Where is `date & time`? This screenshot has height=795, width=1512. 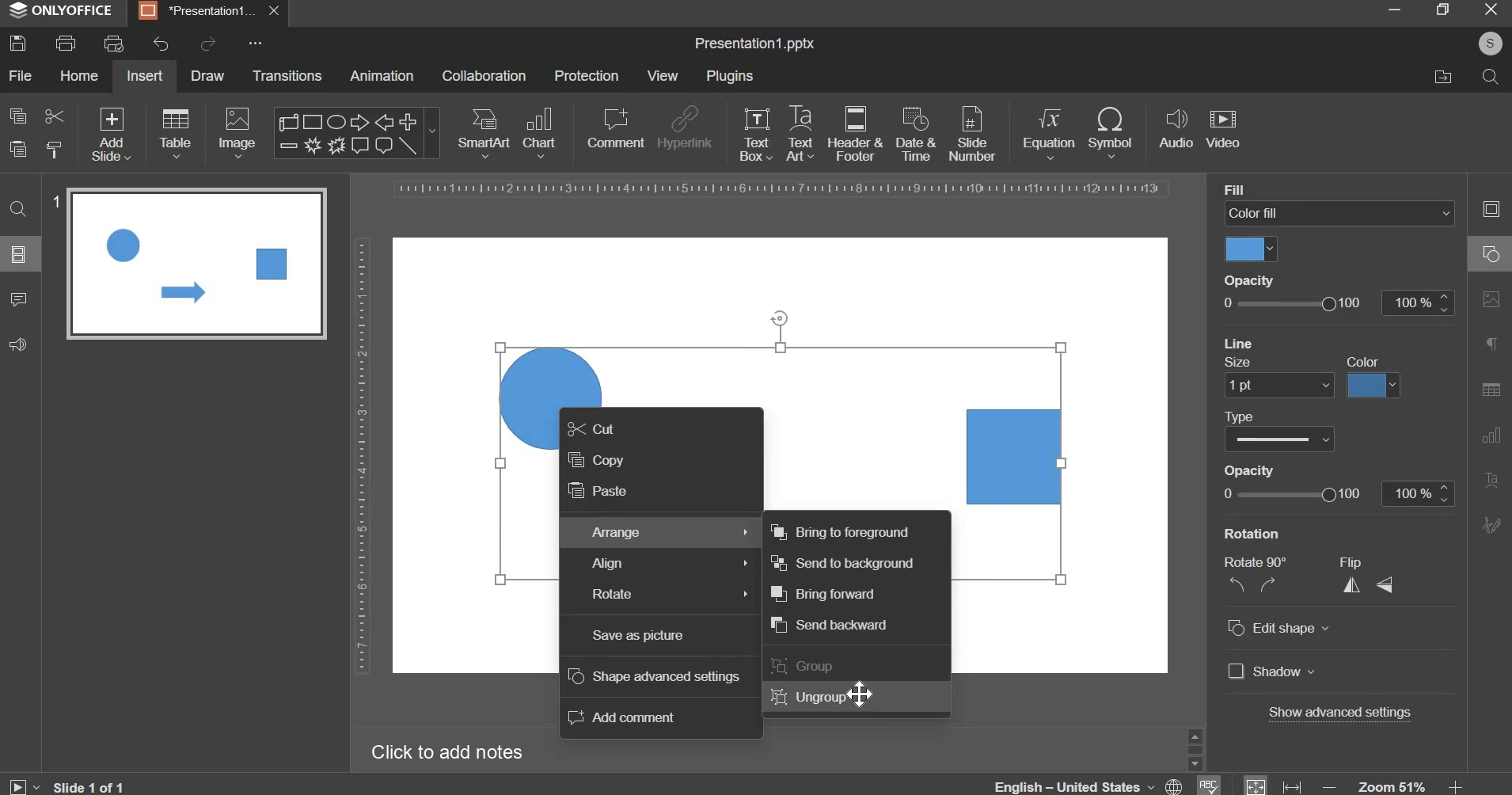 date & time is located at coordinates (916, 134).